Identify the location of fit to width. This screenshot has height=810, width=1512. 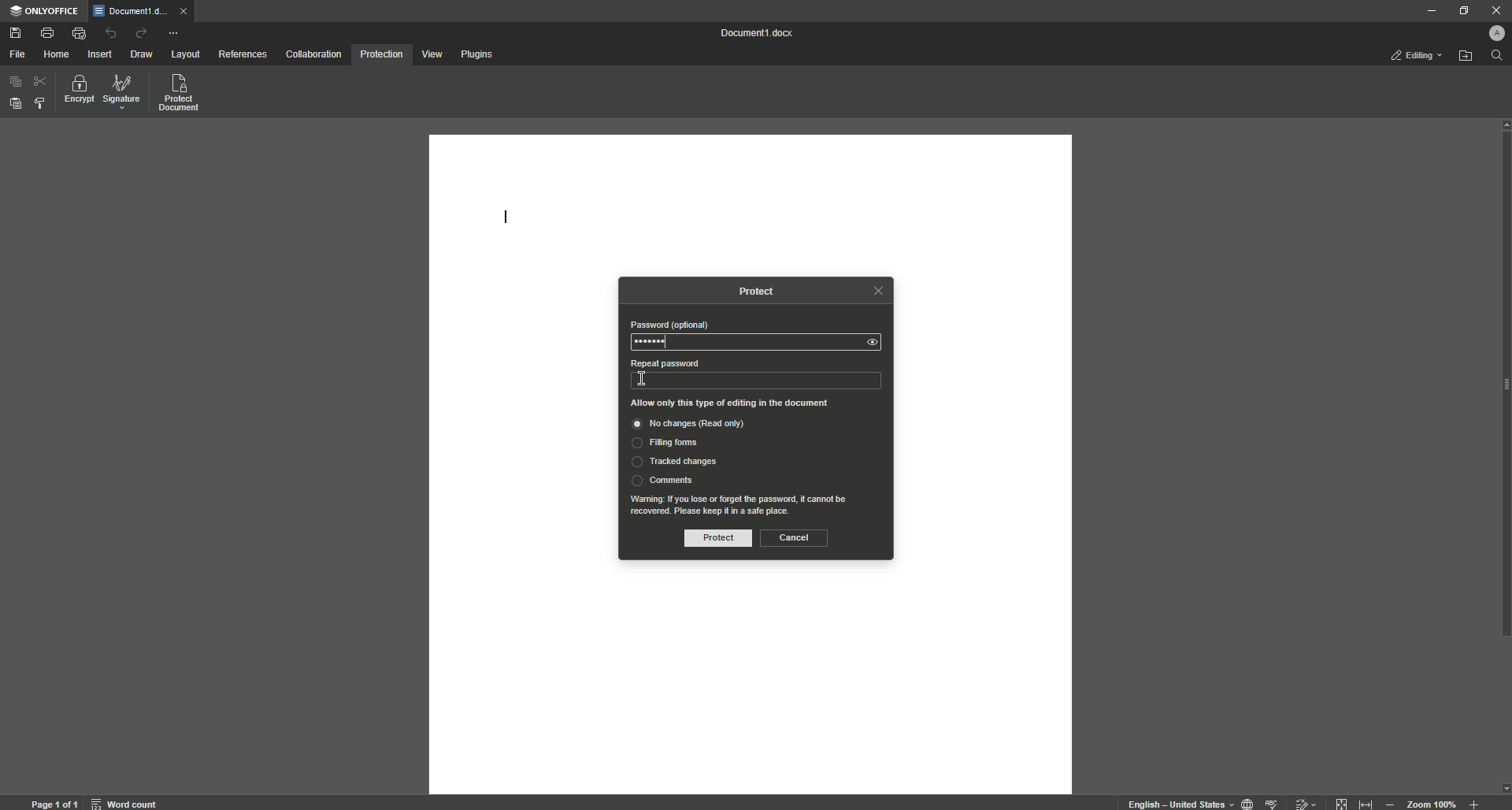
(1364, 803).